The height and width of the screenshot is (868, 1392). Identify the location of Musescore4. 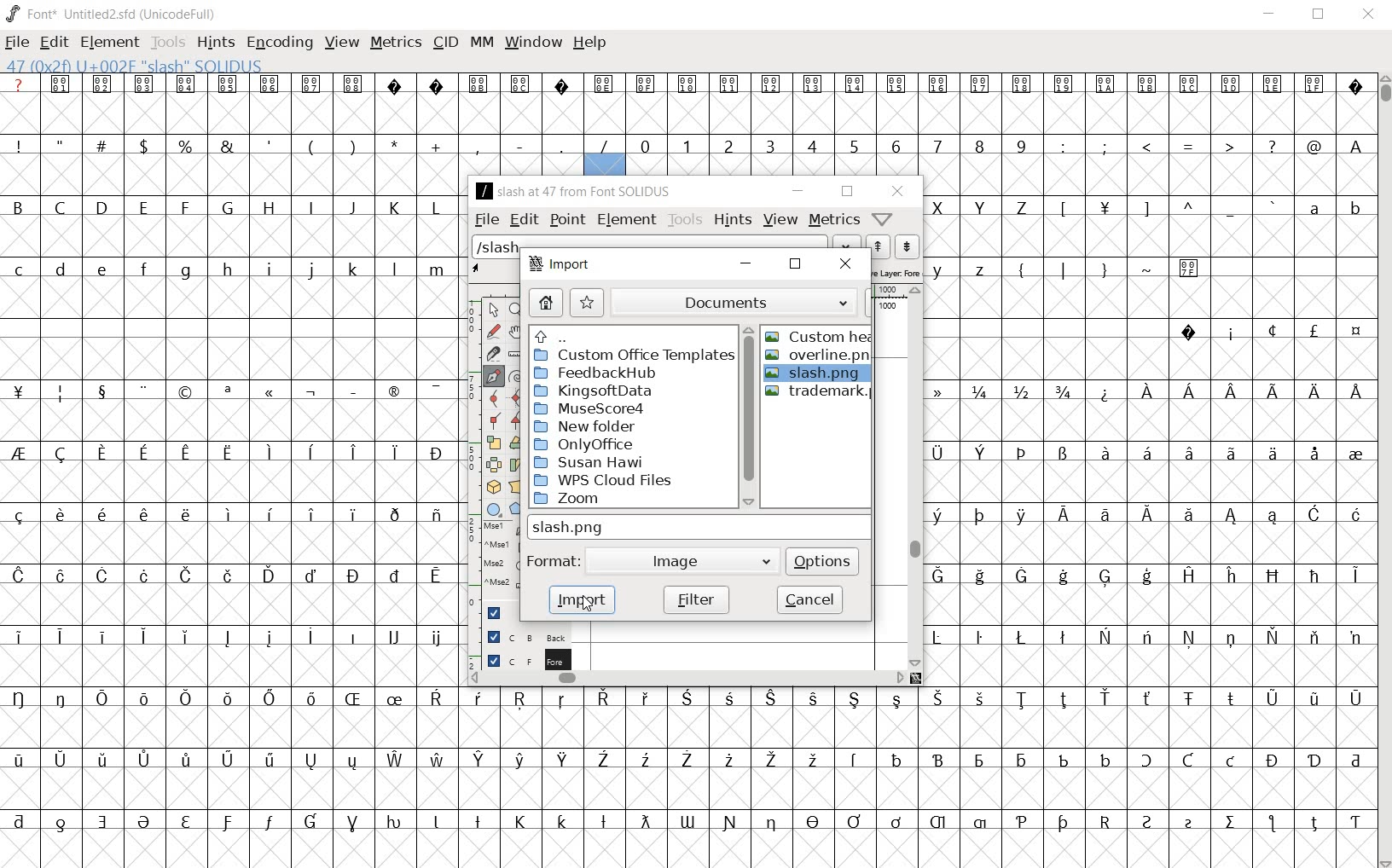
(590, 409).